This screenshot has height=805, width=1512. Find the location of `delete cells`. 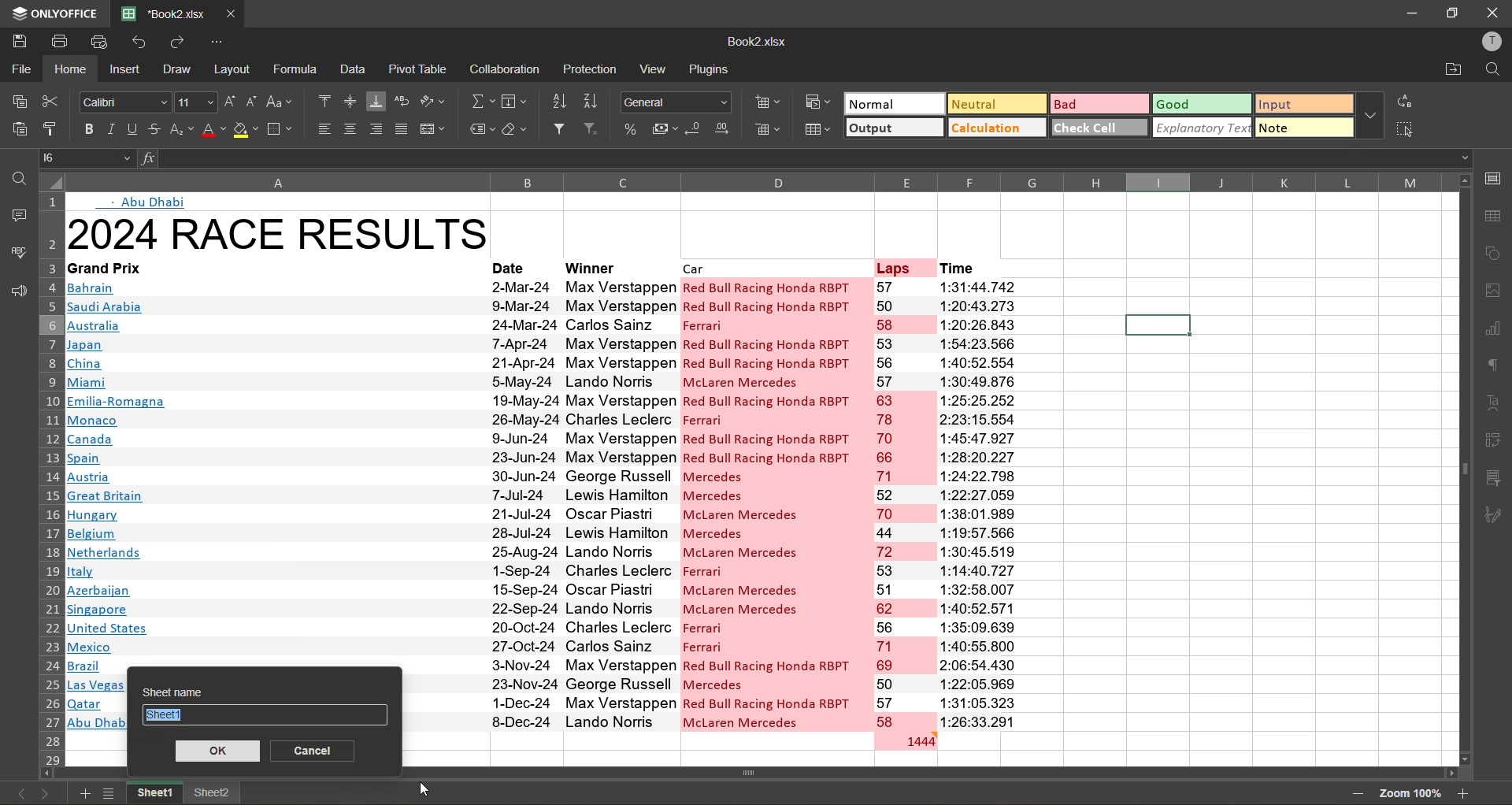

delete cells is located at coordinates (768, 130).